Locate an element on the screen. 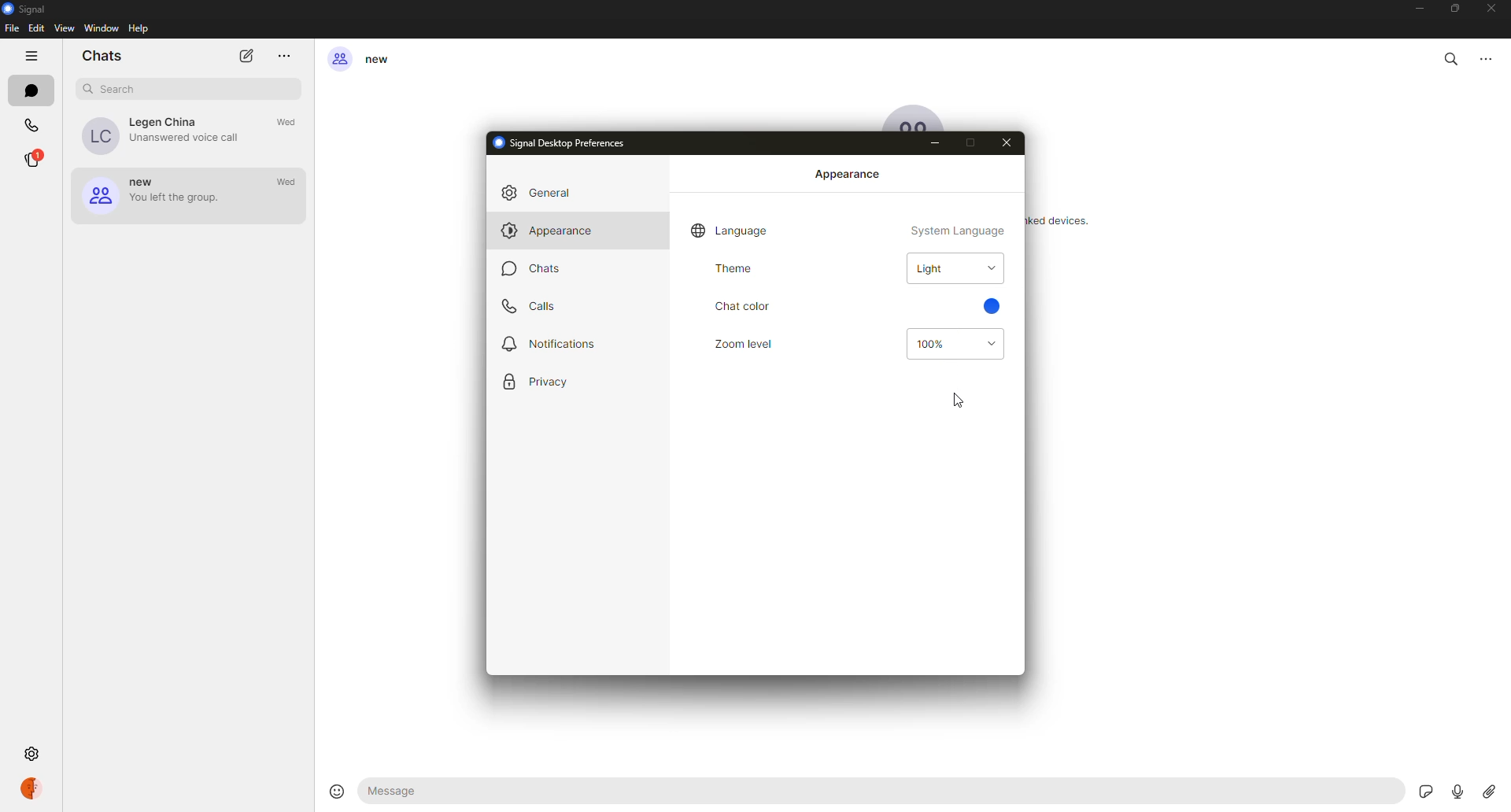 This screenshot has width=1511, height=812. privacy is located at coordinates (537, 383).